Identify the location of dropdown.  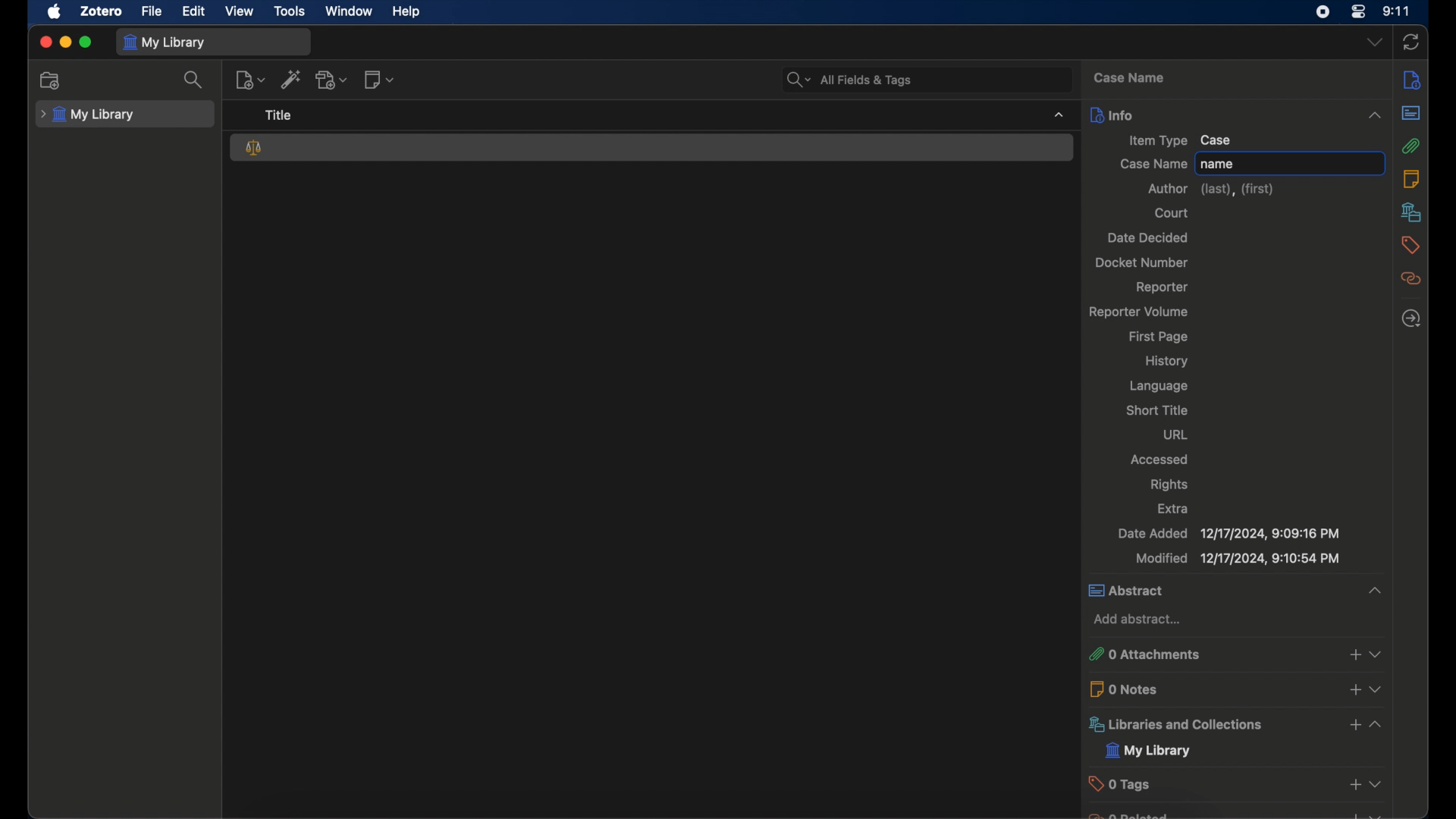
(1059, 115).